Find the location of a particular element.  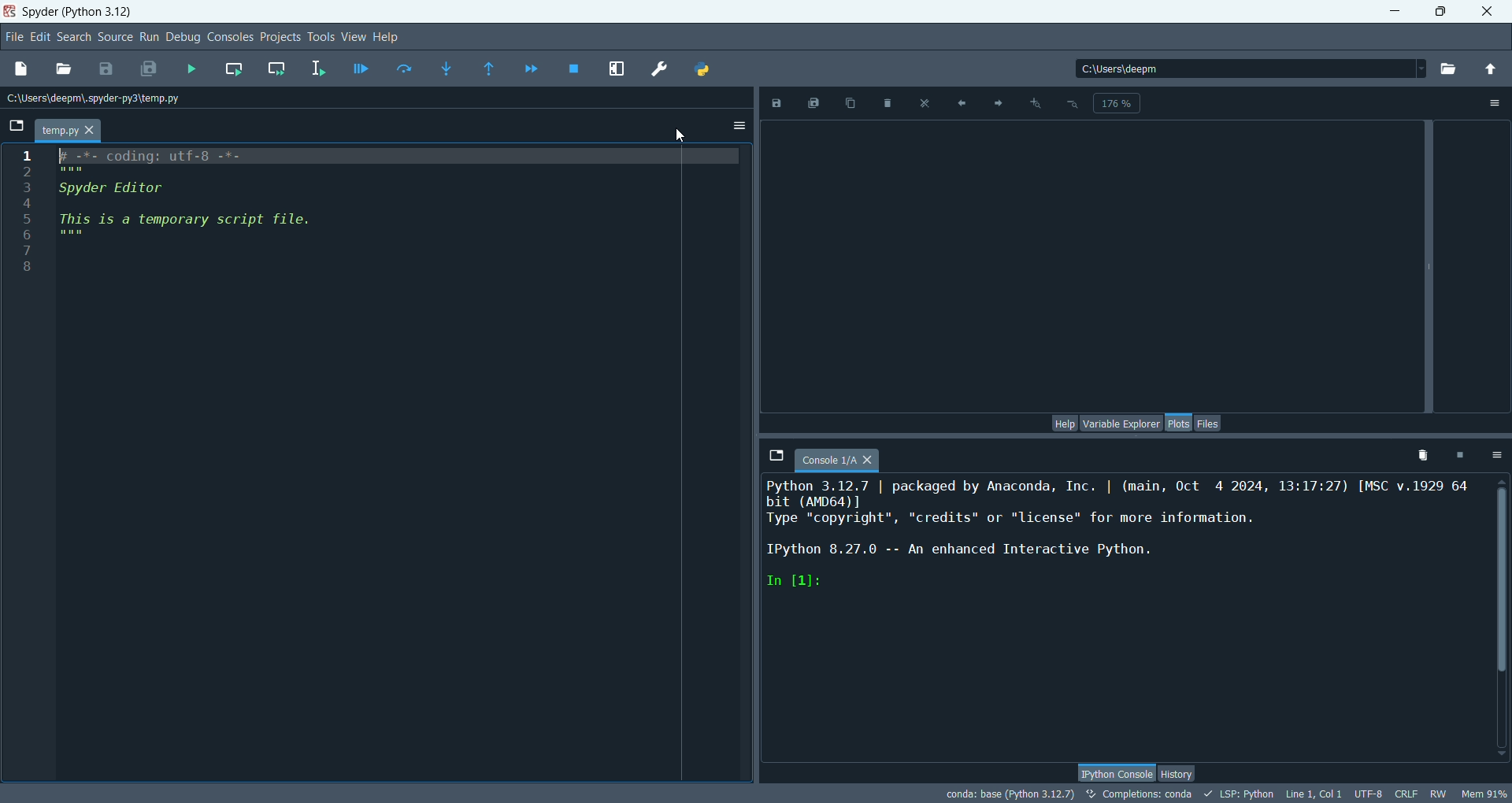

logo is located at coordinates (12, 10).